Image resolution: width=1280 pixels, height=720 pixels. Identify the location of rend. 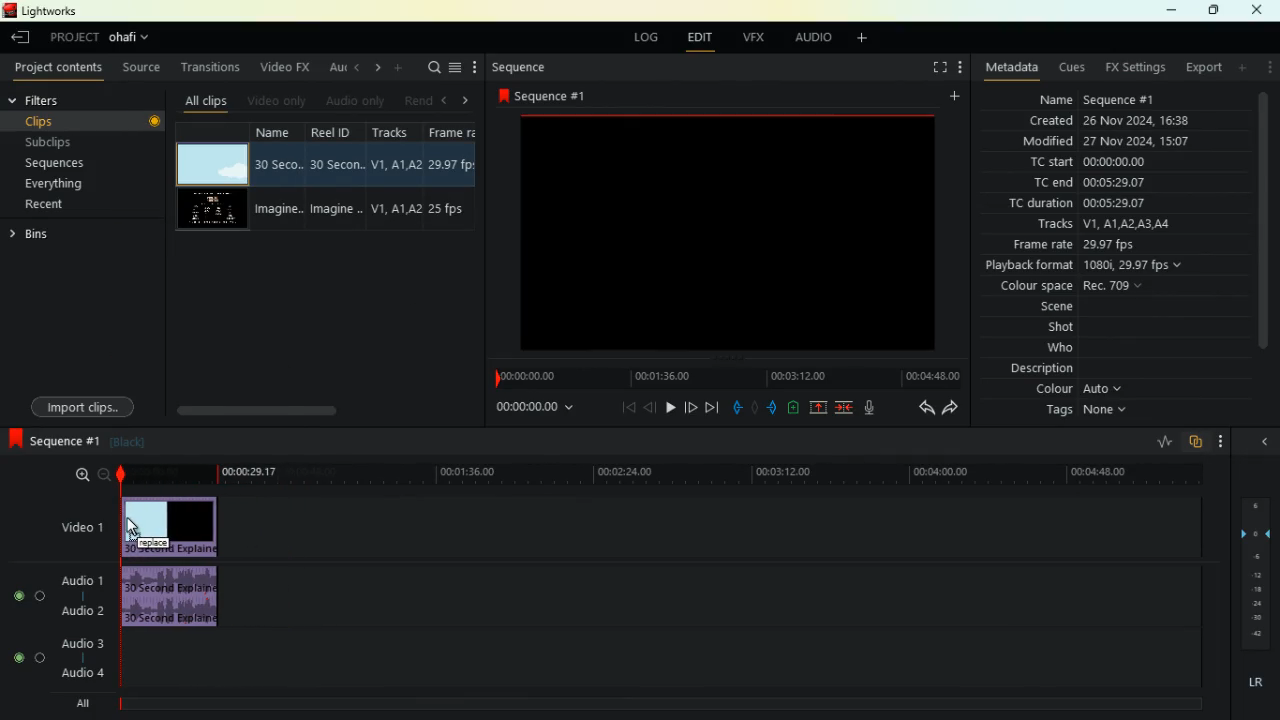
(418, 102).